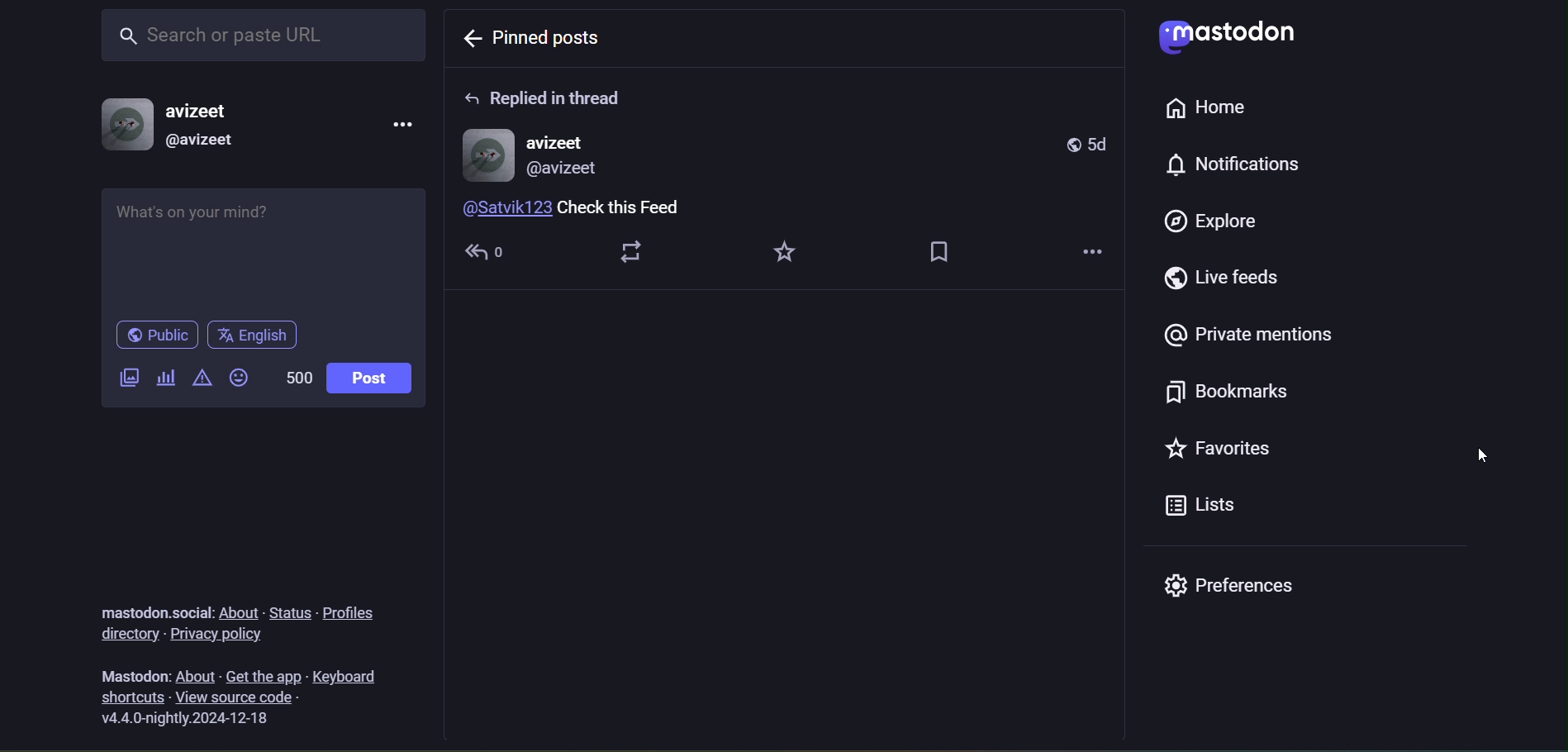  I want to click on Lists, so click(1198, 510).